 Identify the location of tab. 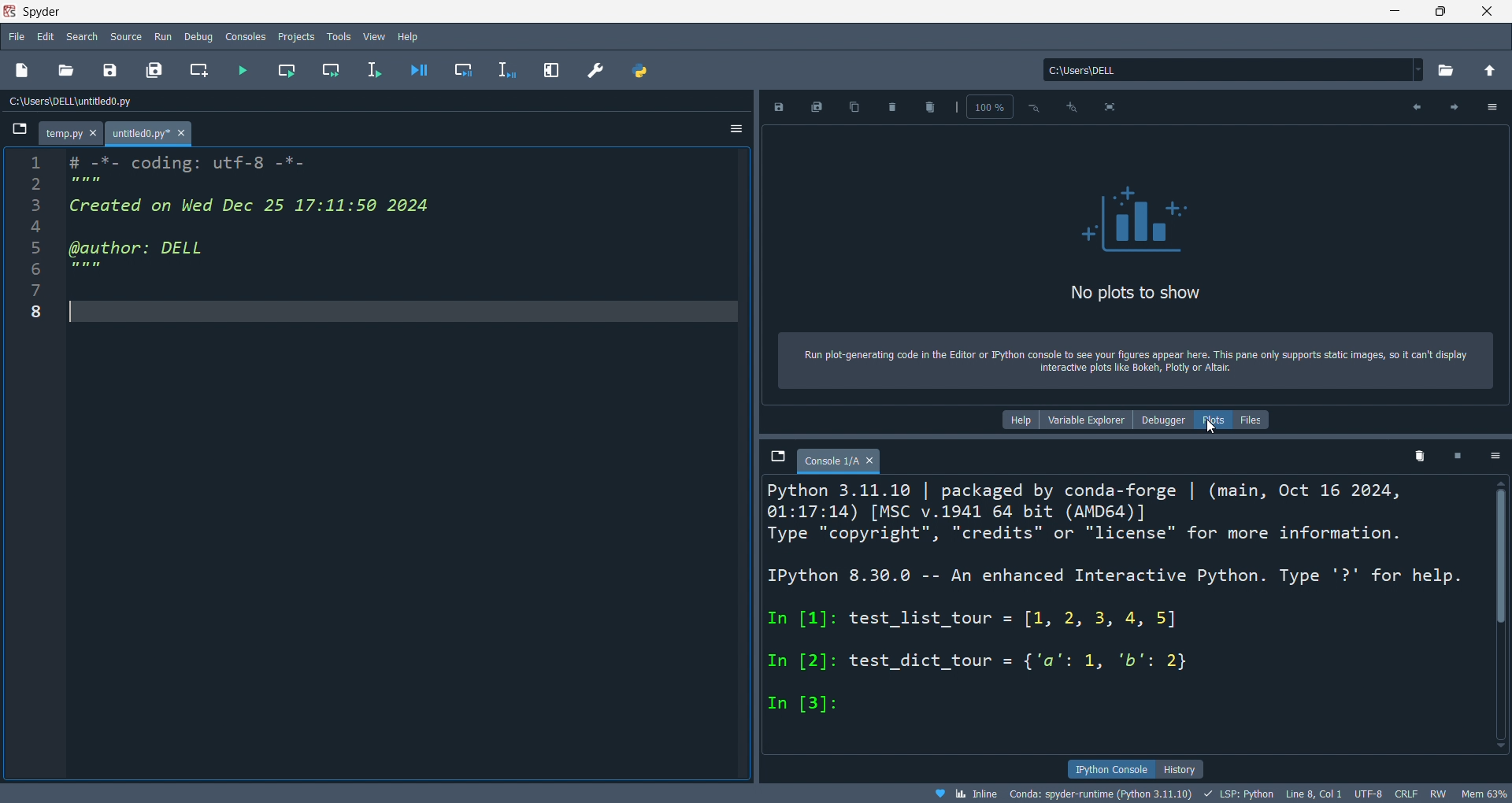
(839, 461).